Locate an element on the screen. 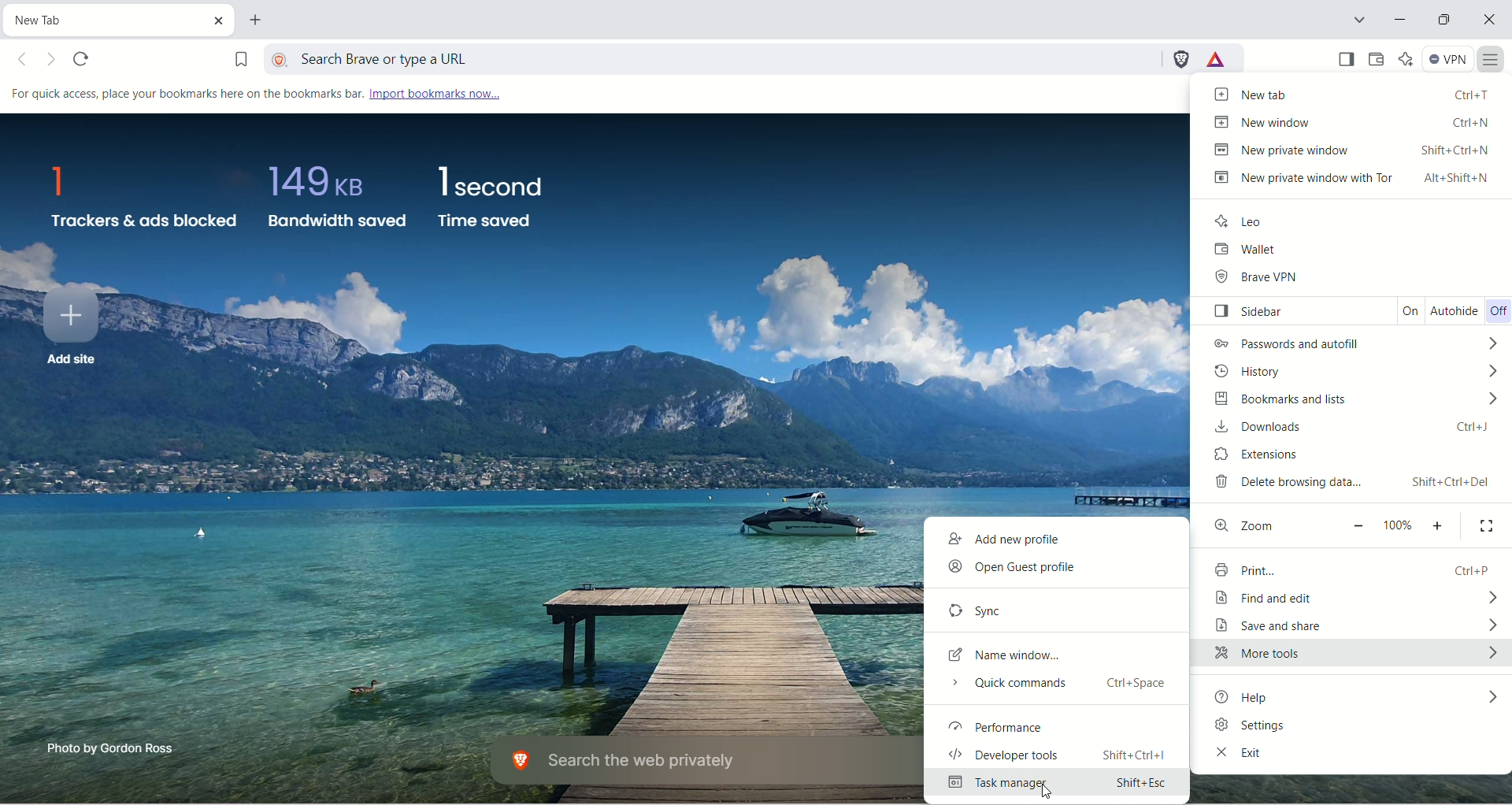  open guest profile is located at coordinates (1055, 570).